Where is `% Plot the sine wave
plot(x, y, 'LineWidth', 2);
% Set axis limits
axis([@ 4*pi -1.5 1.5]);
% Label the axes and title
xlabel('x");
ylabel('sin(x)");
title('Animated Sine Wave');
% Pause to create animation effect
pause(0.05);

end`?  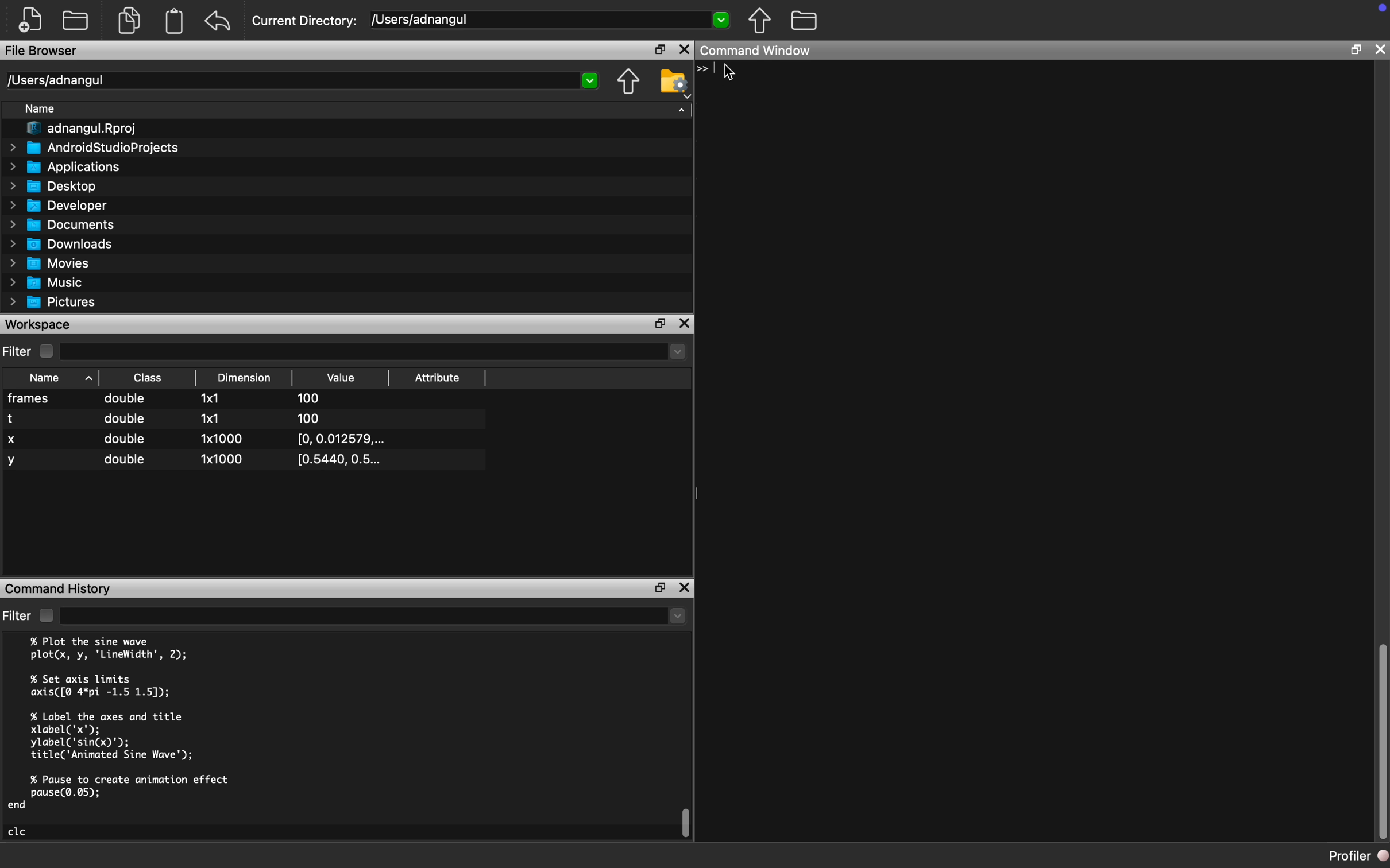 % Plot the sine wave
plot(x, y, 'LineWidth', 2);
% Set axis limits
axis([@ 4*pi -1.5 1.5]);
% Label the axes and title
xlabel('x");
ylabel('sin(x)");
title('Animated Sine Wave');
% Pause to create animation effect
pause(0.05);

end is located at coordinates (134, 726).